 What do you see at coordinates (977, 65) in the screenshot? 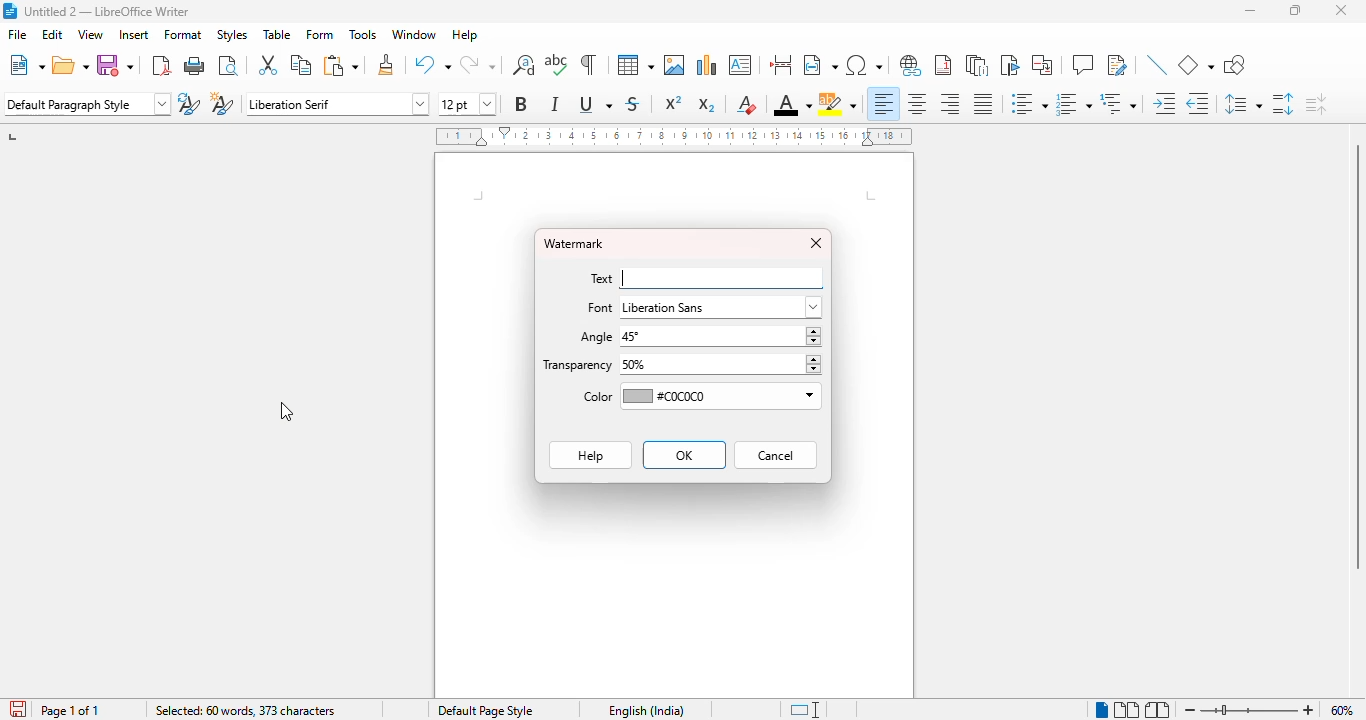
I see `insert endnote` at bounding box center [977, 65].